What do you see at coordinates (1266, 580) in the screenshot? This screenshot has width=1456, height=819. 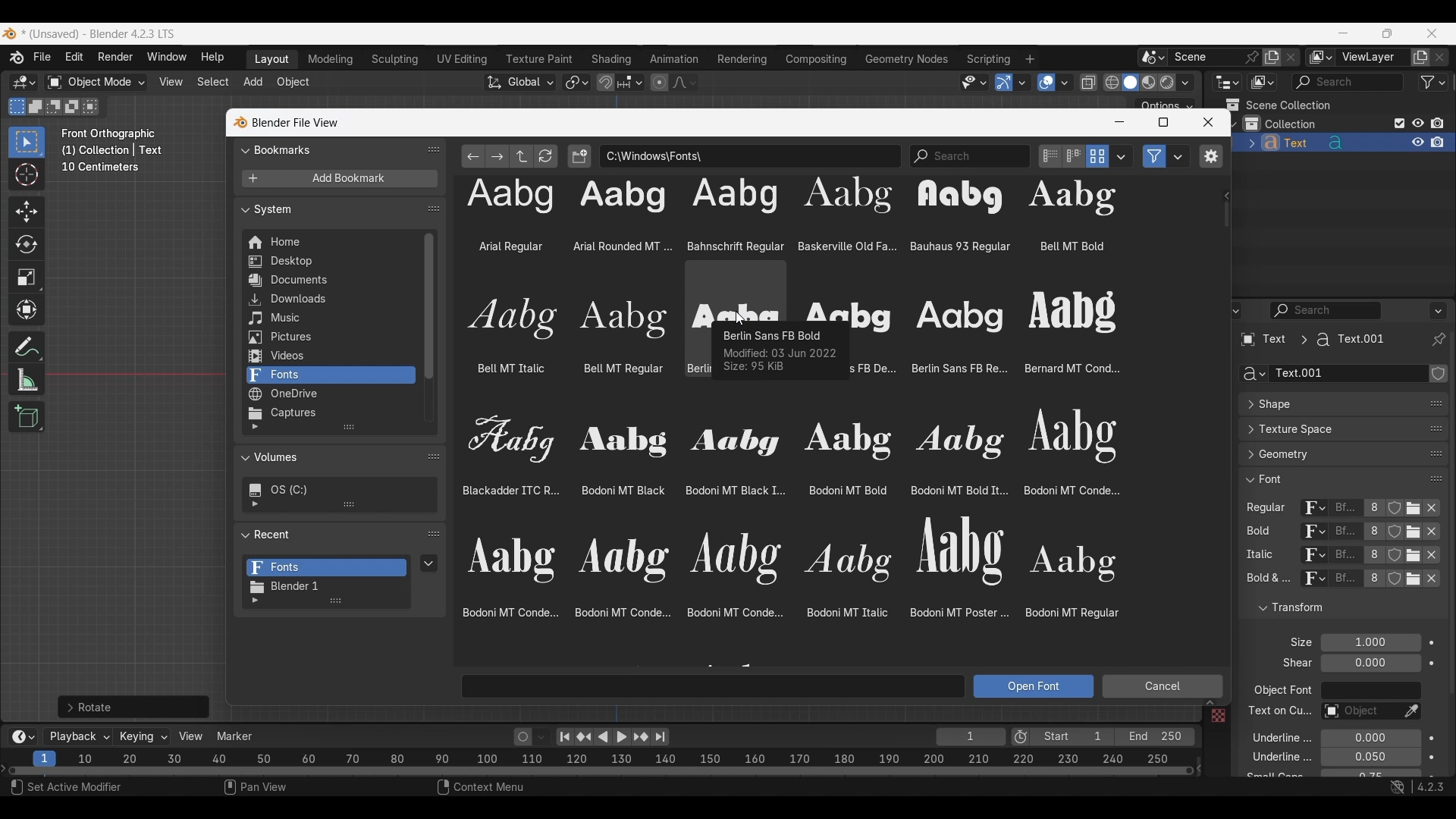 I see `text` at bounding box center [1266, 580].